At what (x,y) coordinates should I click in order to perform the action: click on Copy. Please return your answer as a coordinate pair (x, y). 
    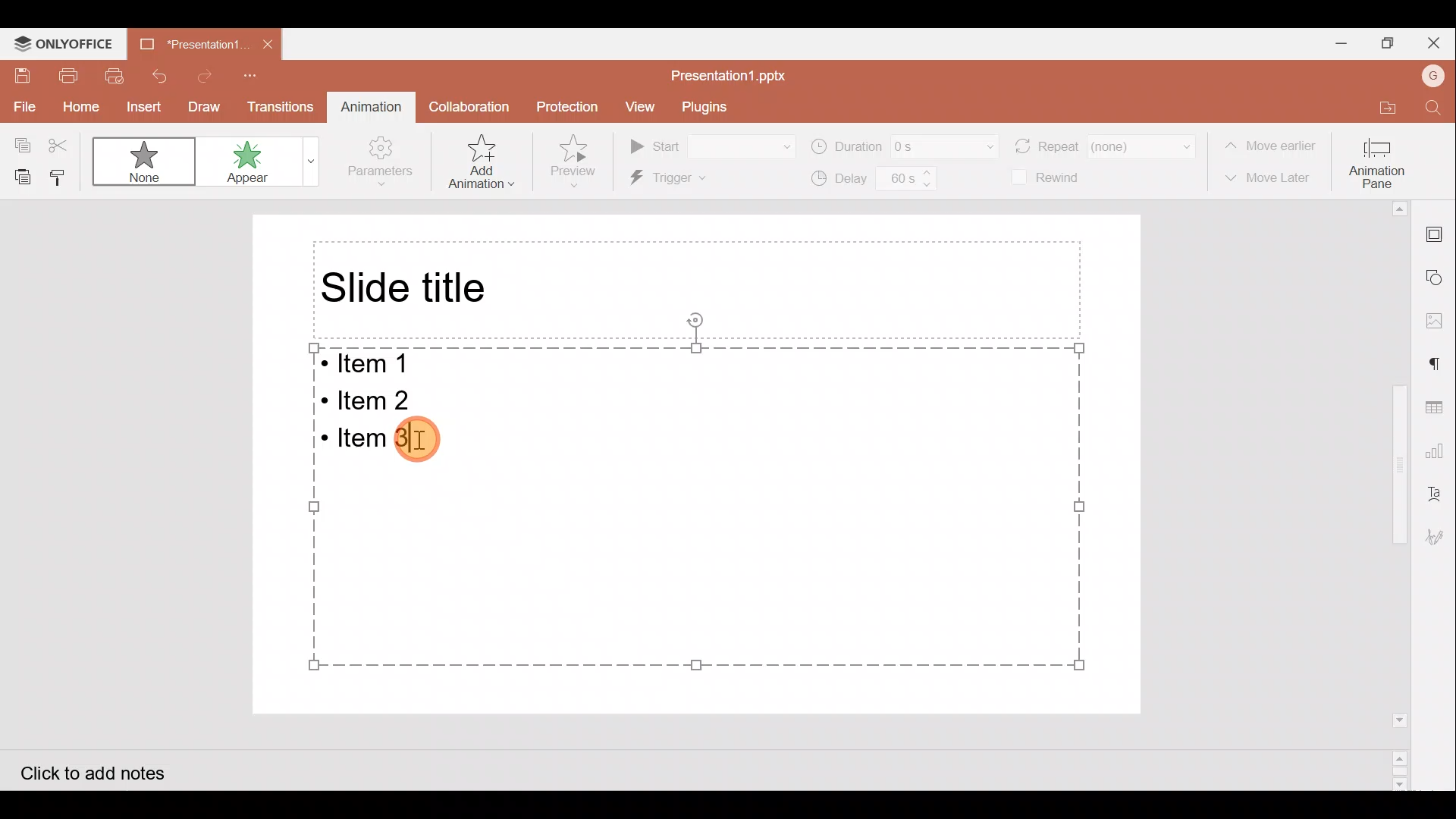
    Looking at the image, I should click on (20, 144).